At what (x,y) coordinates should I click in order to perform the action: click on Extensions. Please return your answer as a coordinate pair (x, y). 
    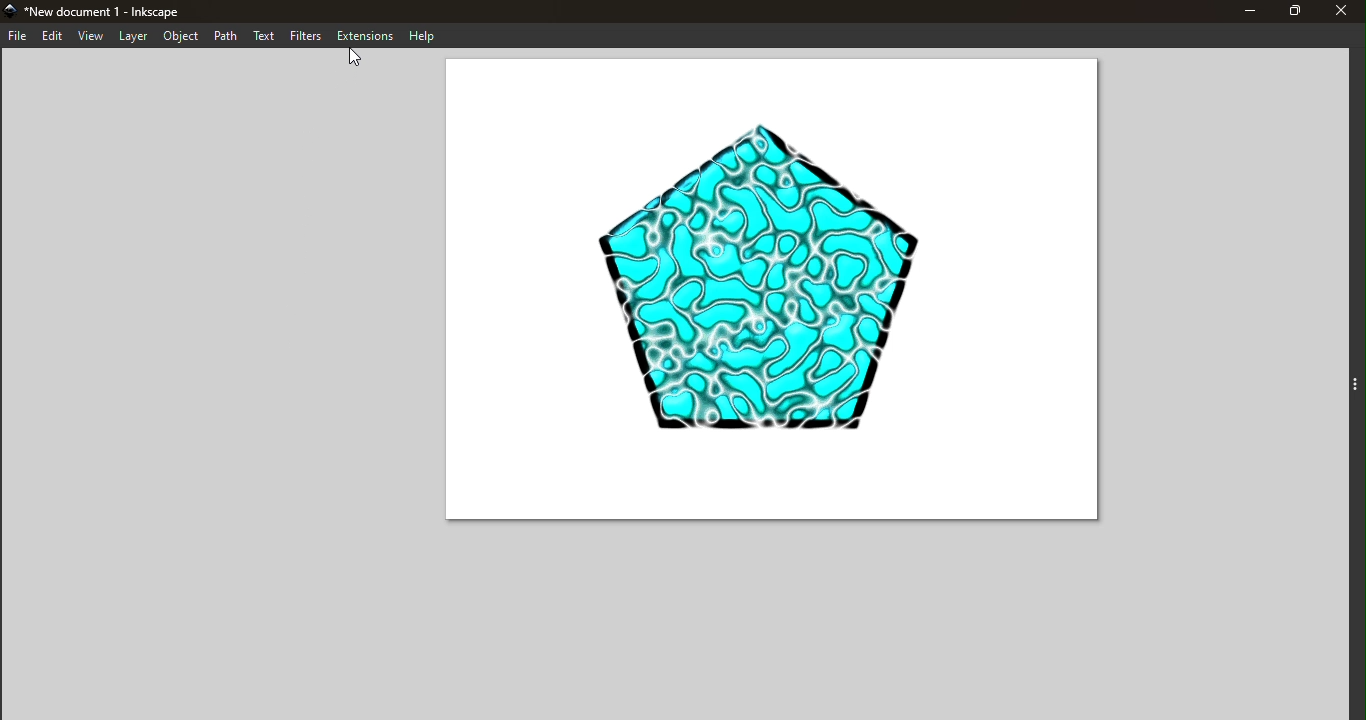
    Looking at the image, I should click on (365, 35).